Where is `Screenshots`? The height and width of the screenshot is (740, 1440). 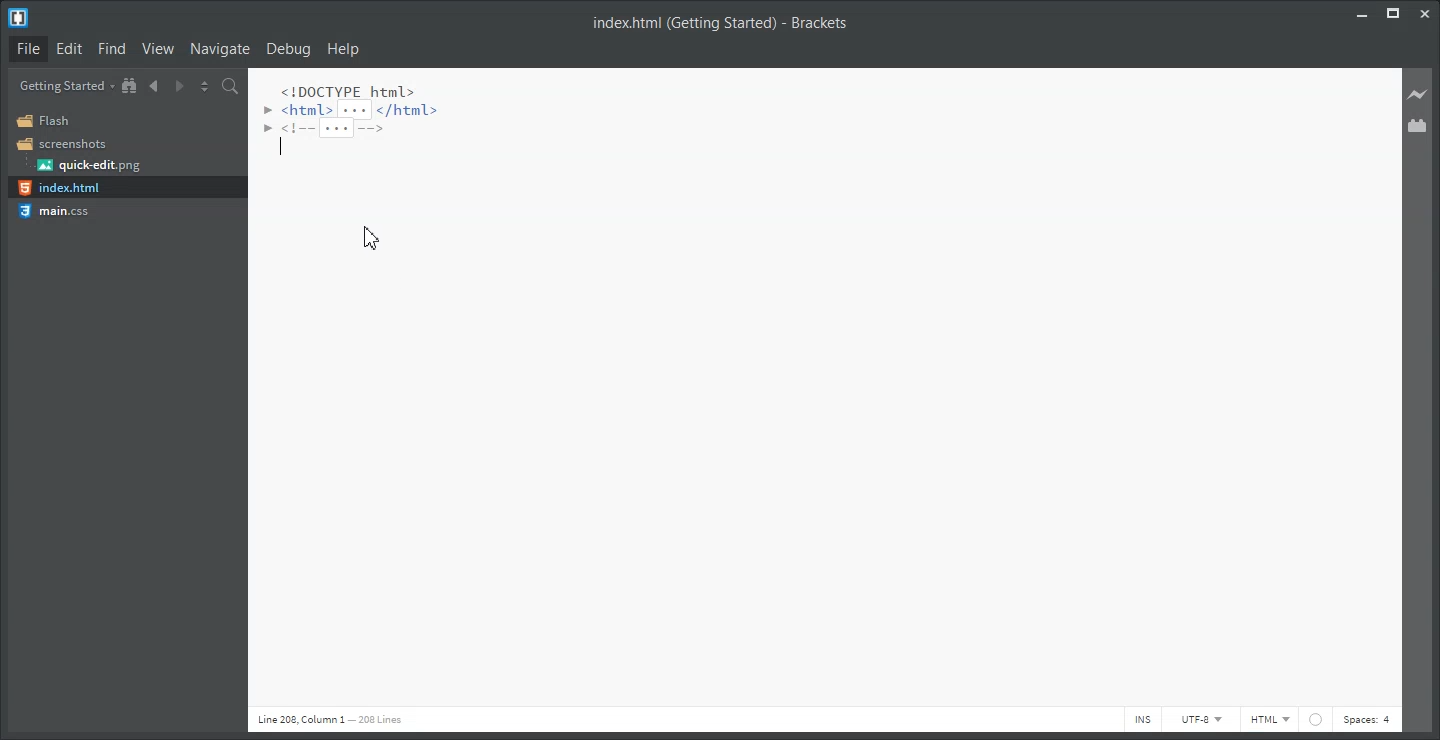
Screenshots is located at coordinates (62, 144).